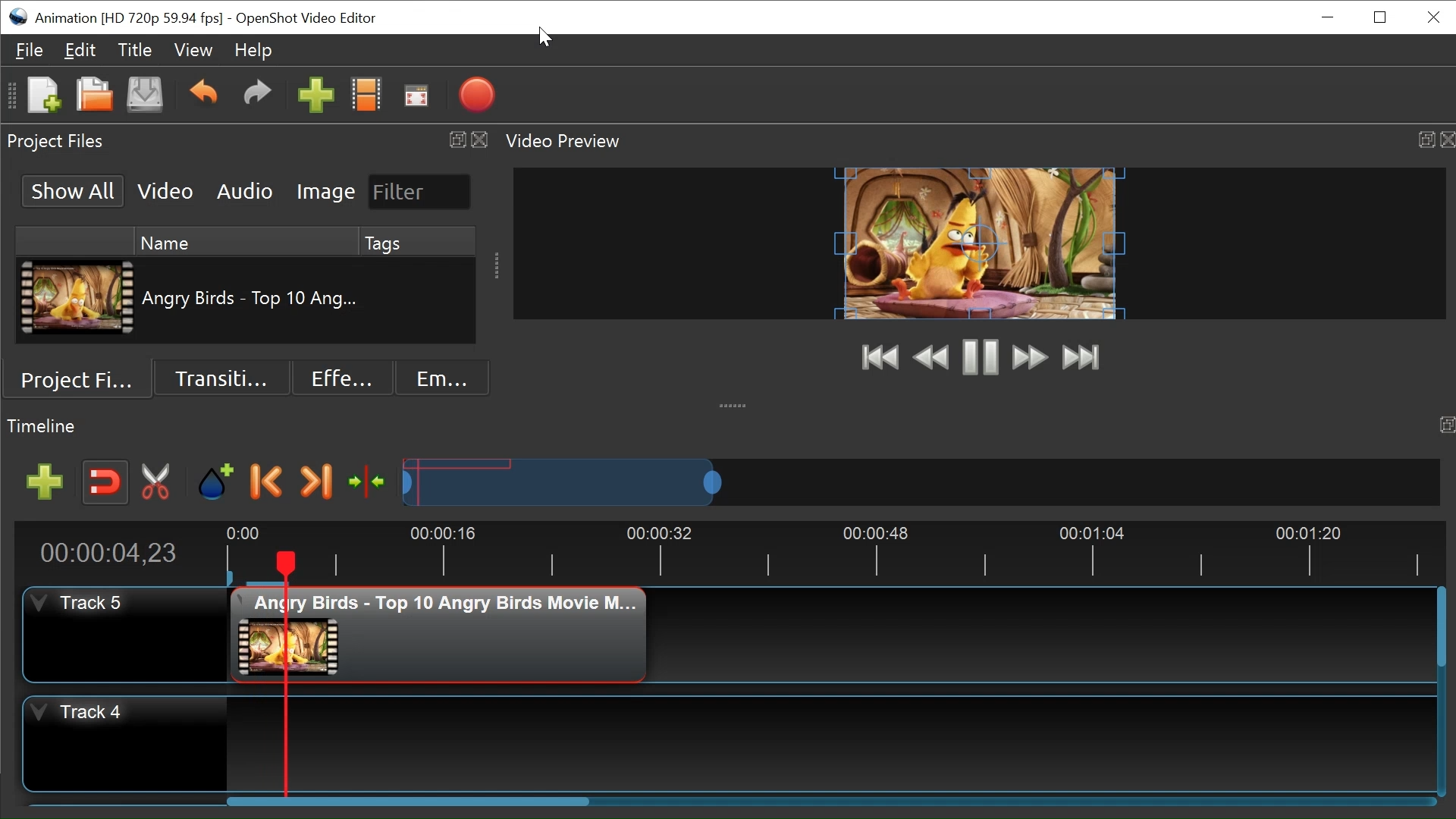 The height and width of the screenshot is (819, 1456). Describe the element at coordinates (728, 427) in the screenshot. I see `Timeline Panel` at that location.